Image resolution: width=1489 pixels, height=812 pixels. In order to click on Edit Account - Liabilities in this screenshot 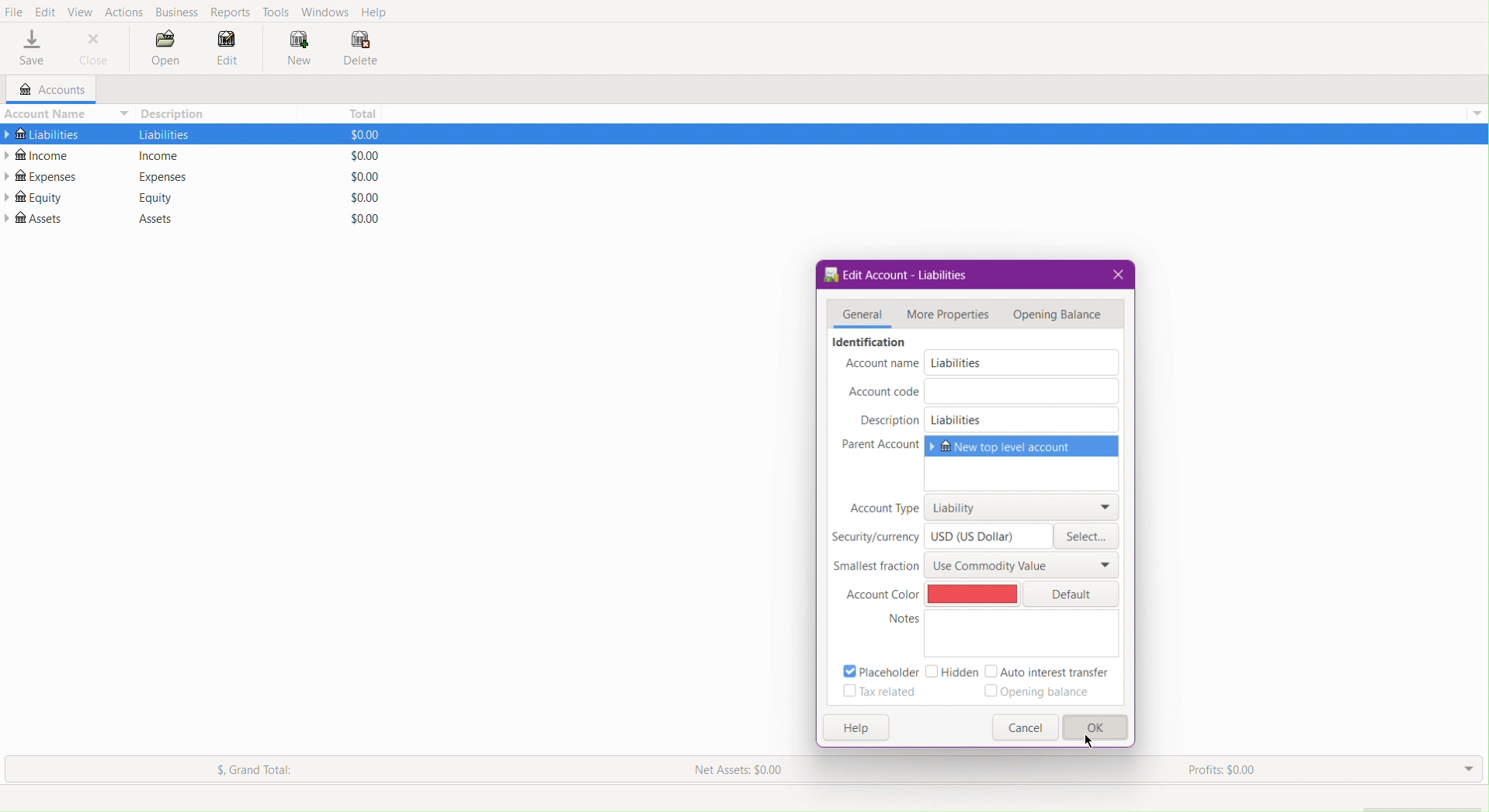, I will do `click(894, 276)`.